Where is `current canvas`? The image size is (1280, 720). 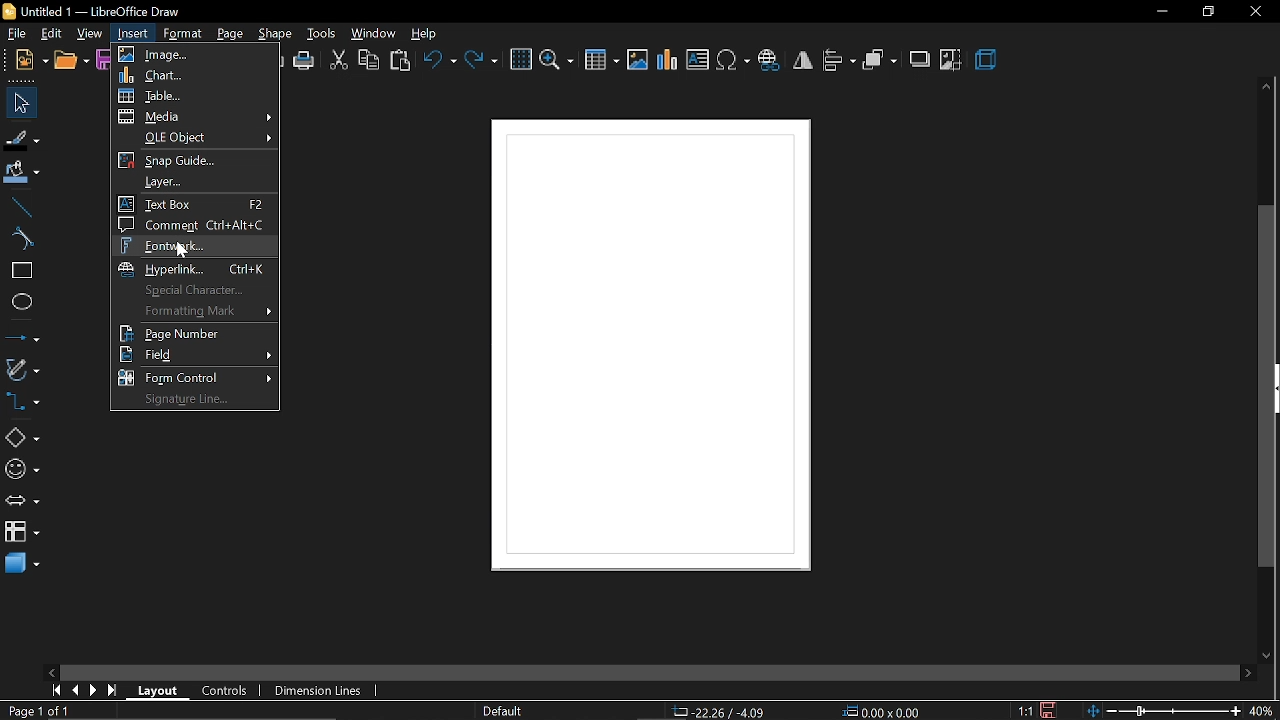
current canvas is located at coordinates (646, 354).